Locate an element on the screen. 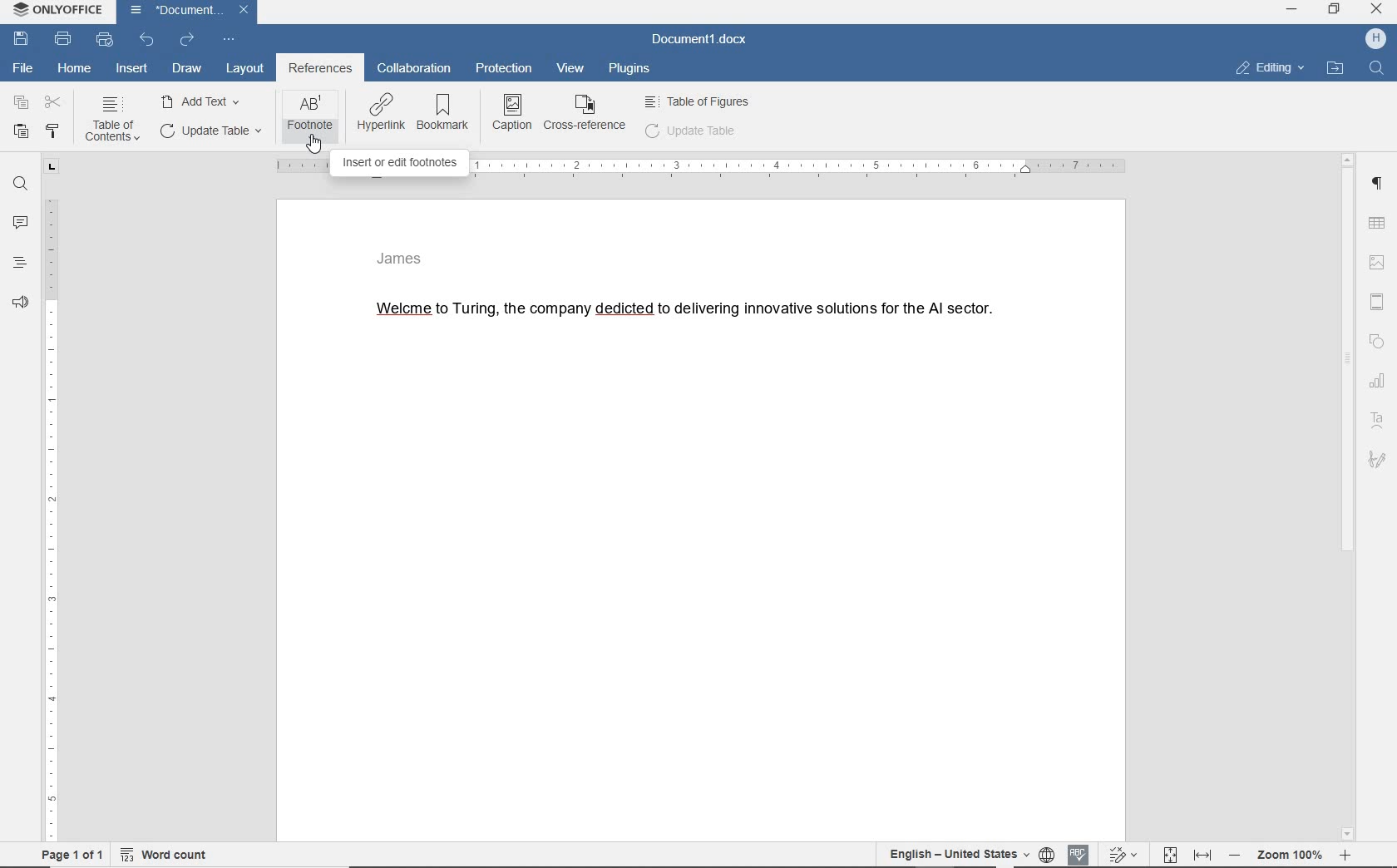 This screenshot has width=1397, height=868. table of contents is located at coordinates (111, 121).